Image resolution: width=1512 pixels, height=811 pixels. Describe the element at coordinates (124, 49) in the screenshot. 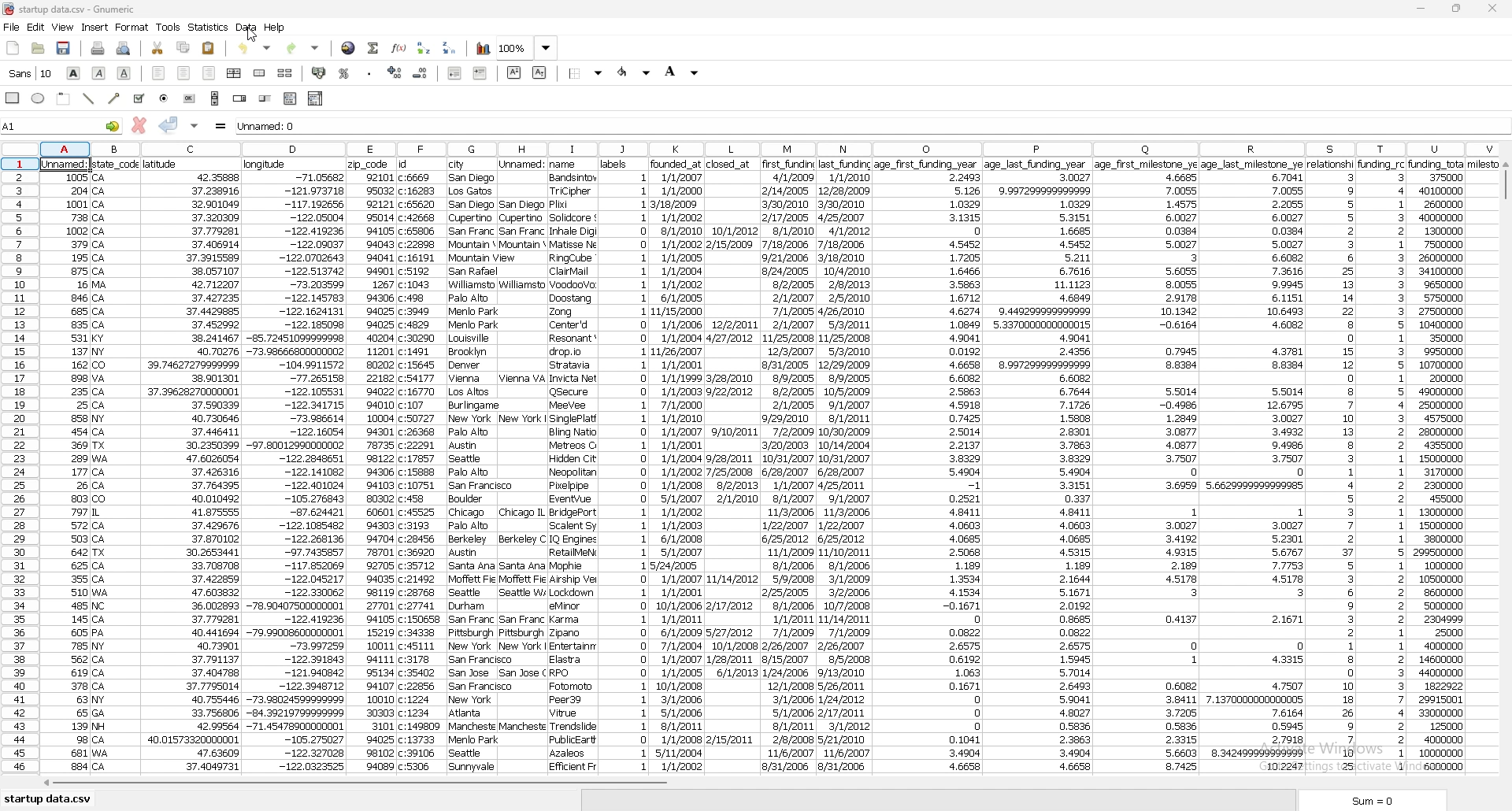

I see `print preview` at that location.